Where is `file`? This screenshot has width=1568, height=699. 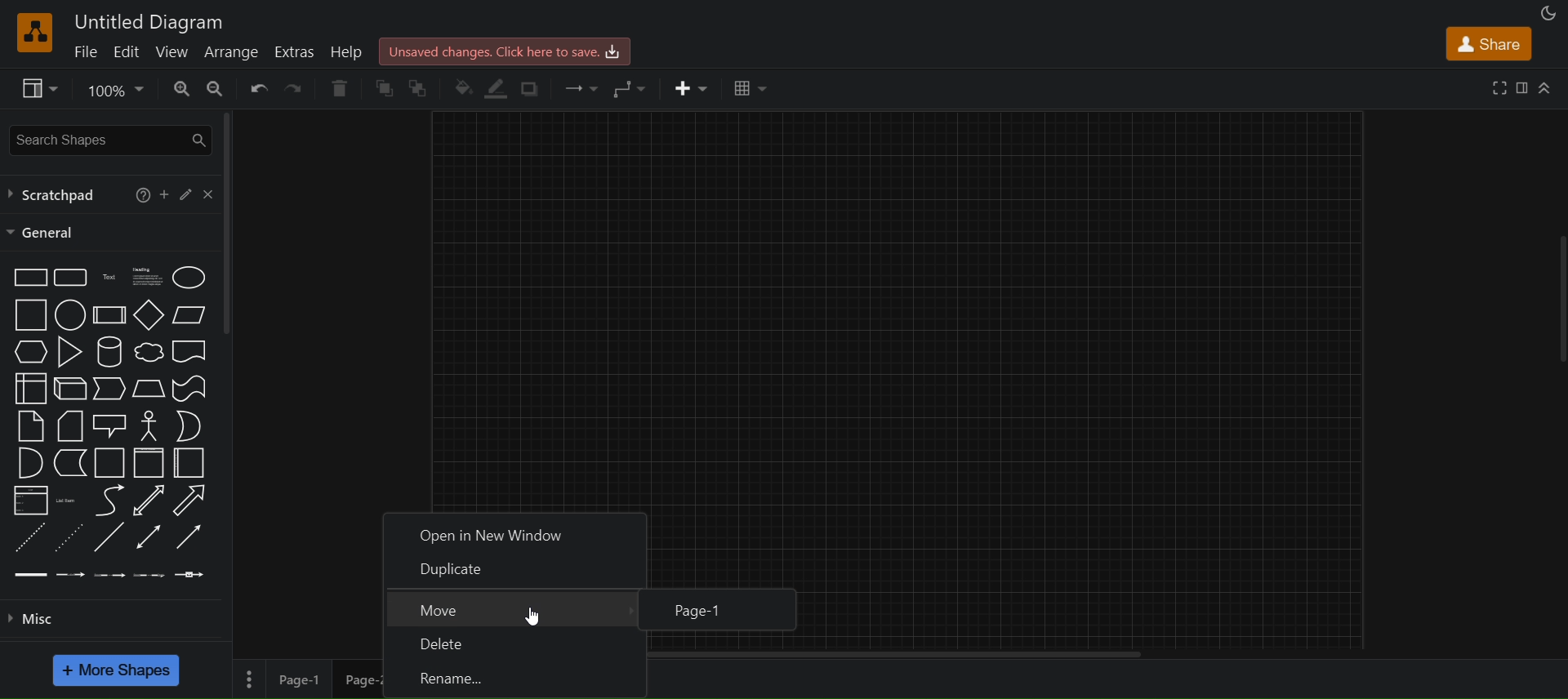
file is located at coordinates (85, 52).